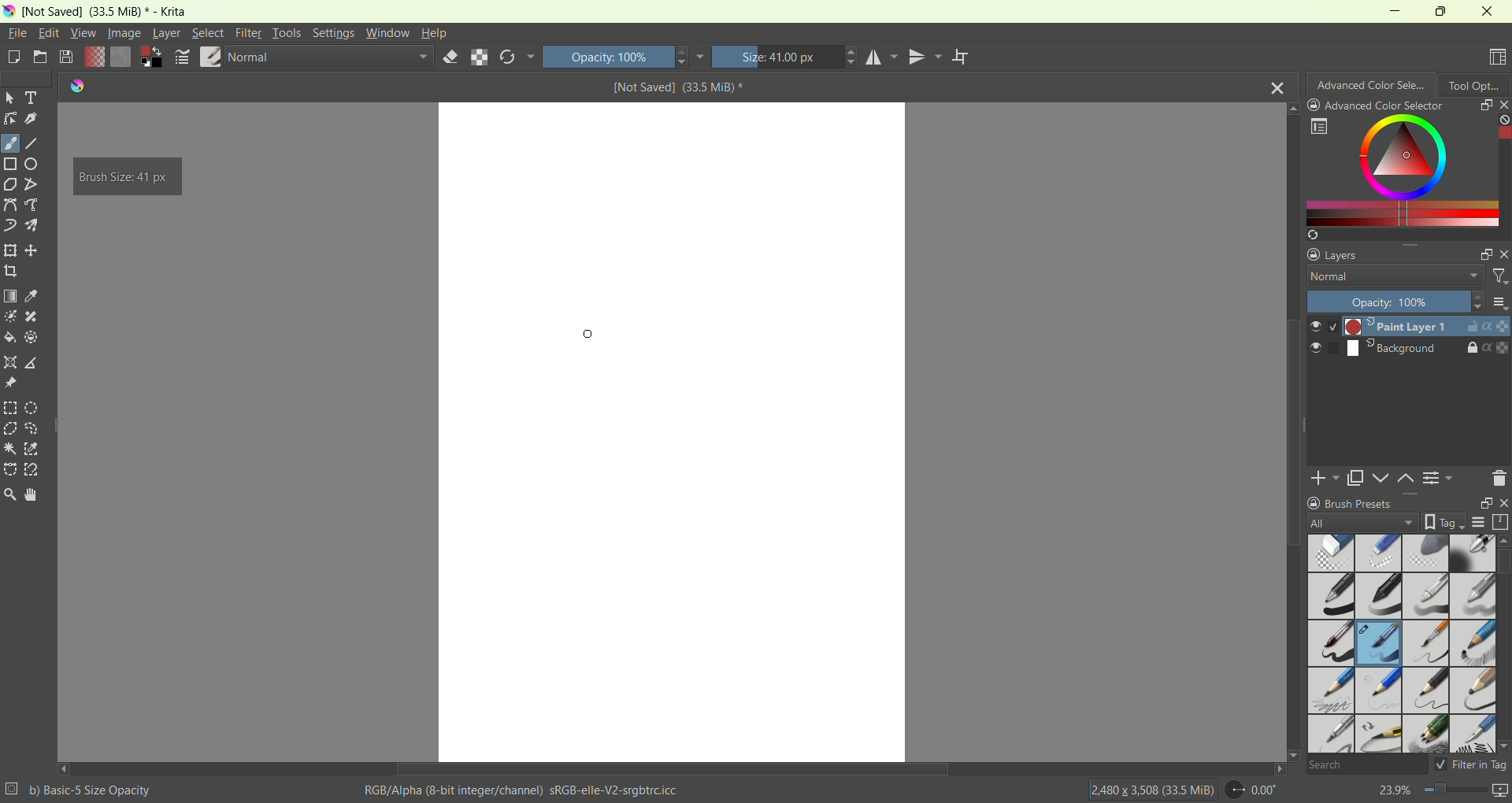 The image size is (1512, 803). What do you see at coordinates (9, 448) in the screenshot?
I see `contagious selection tool` at bounding box center [9, 448].